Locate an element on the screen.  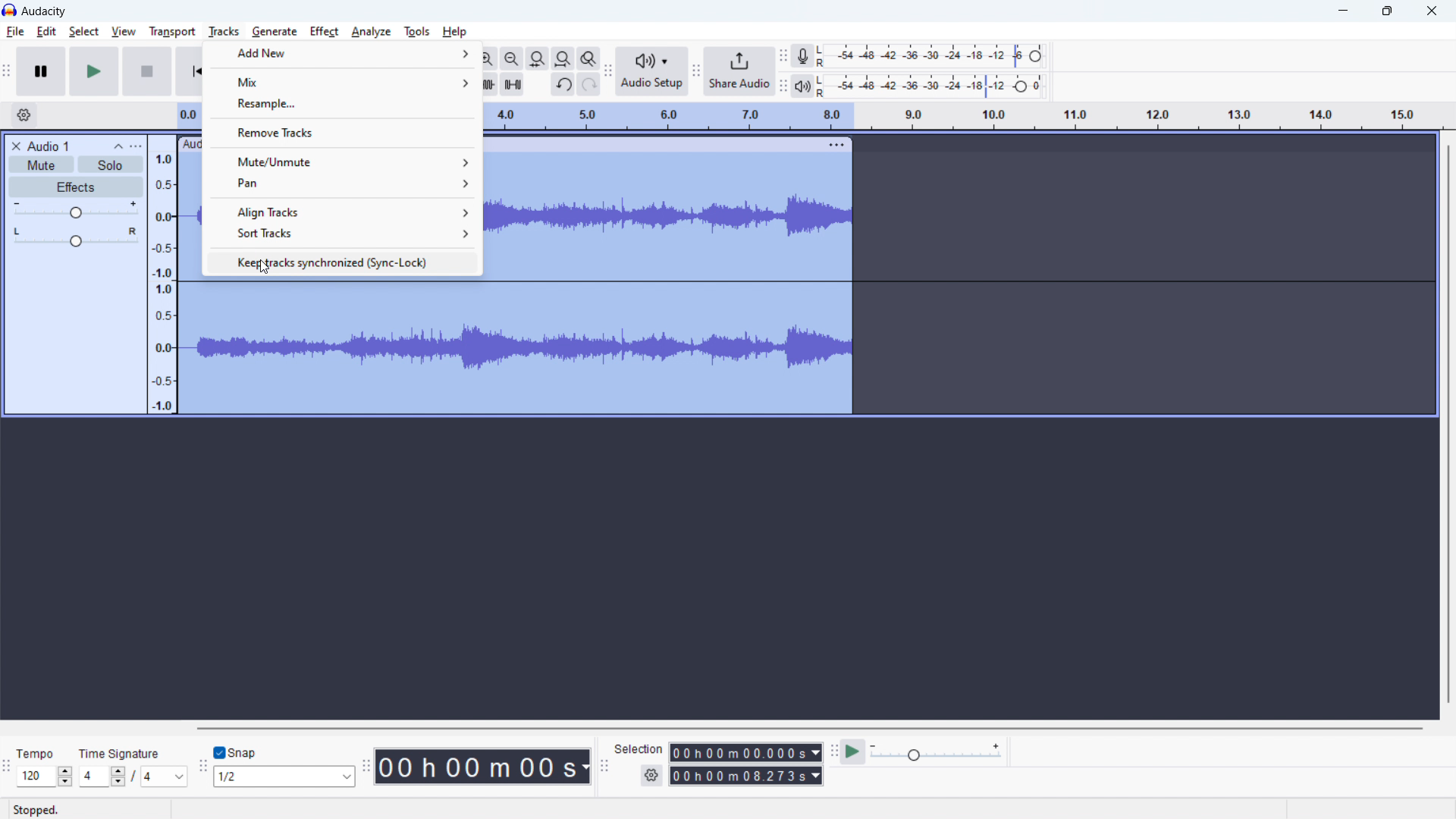
remove tracks is located at coordinates (344, 131).